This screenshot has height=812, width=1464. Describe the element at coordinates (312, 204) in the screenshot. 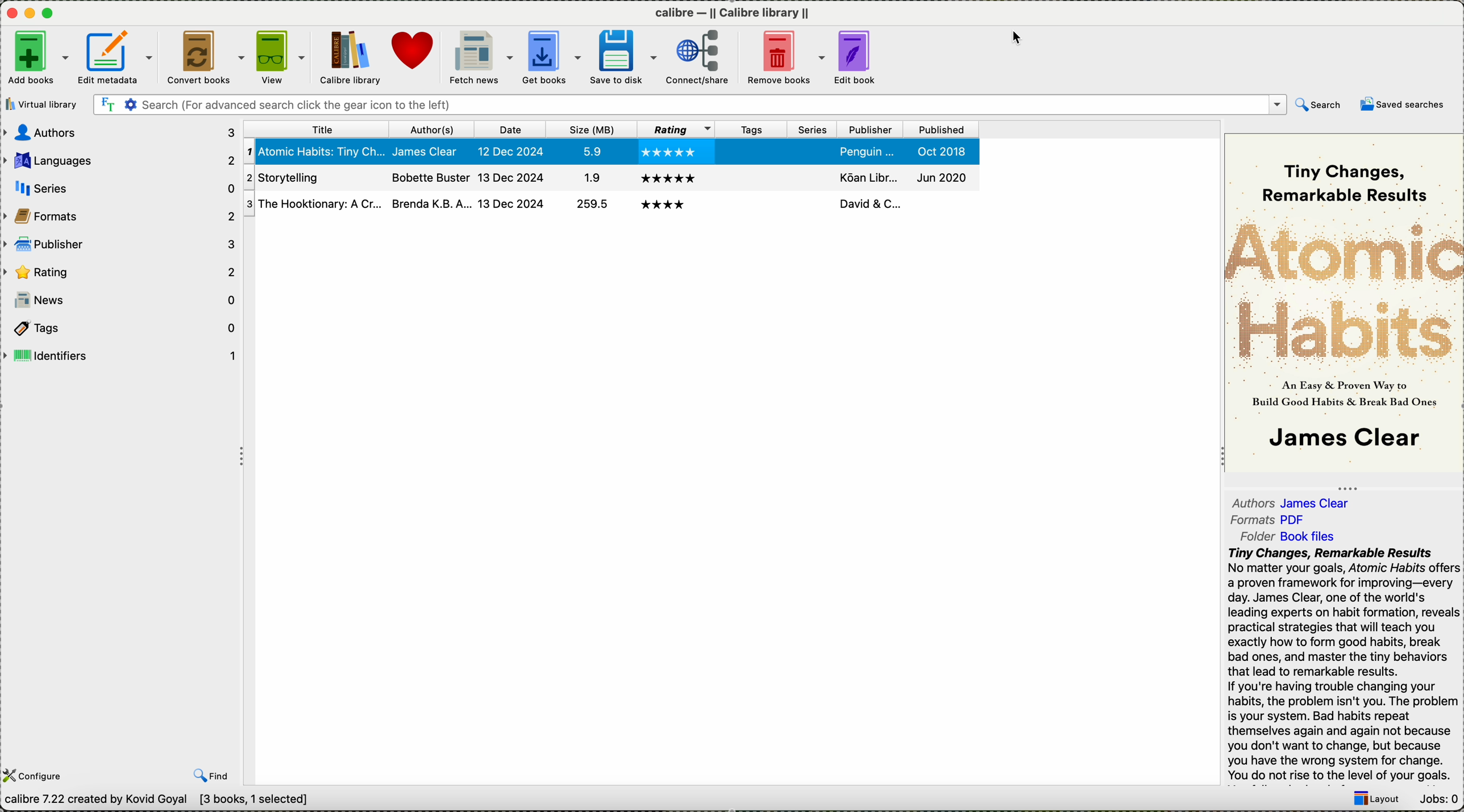

I see `Storytelling` at that location.